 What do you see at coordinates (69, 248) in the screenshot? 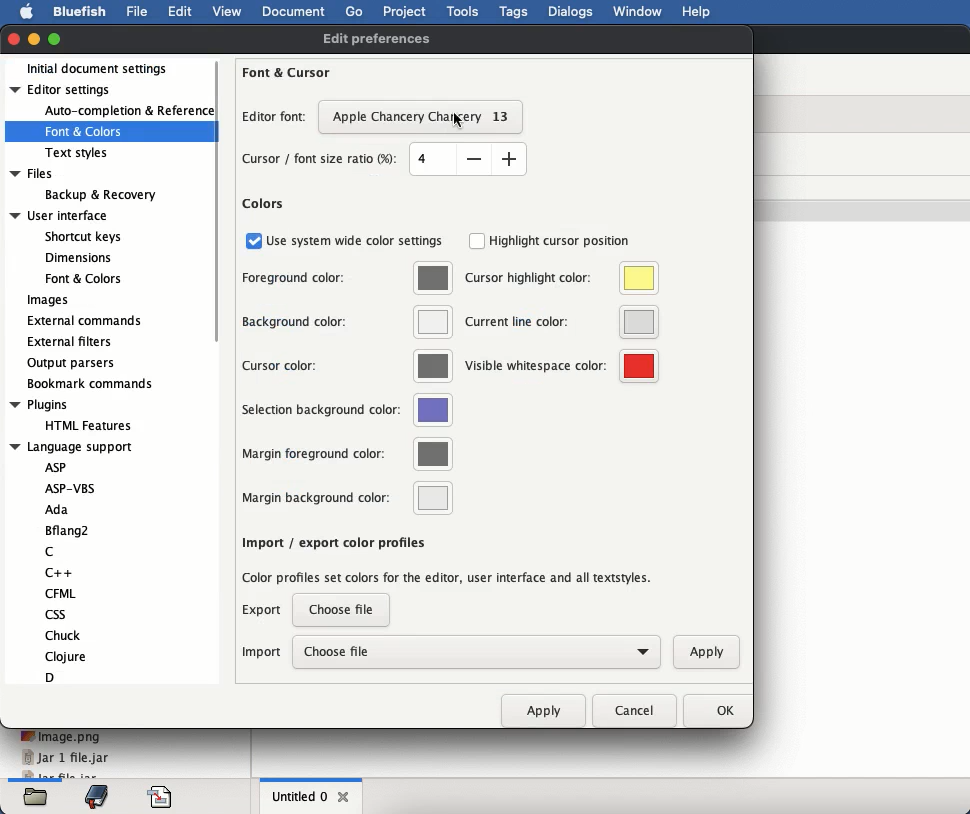
I see `user interface` at bounding box center [69, 248].